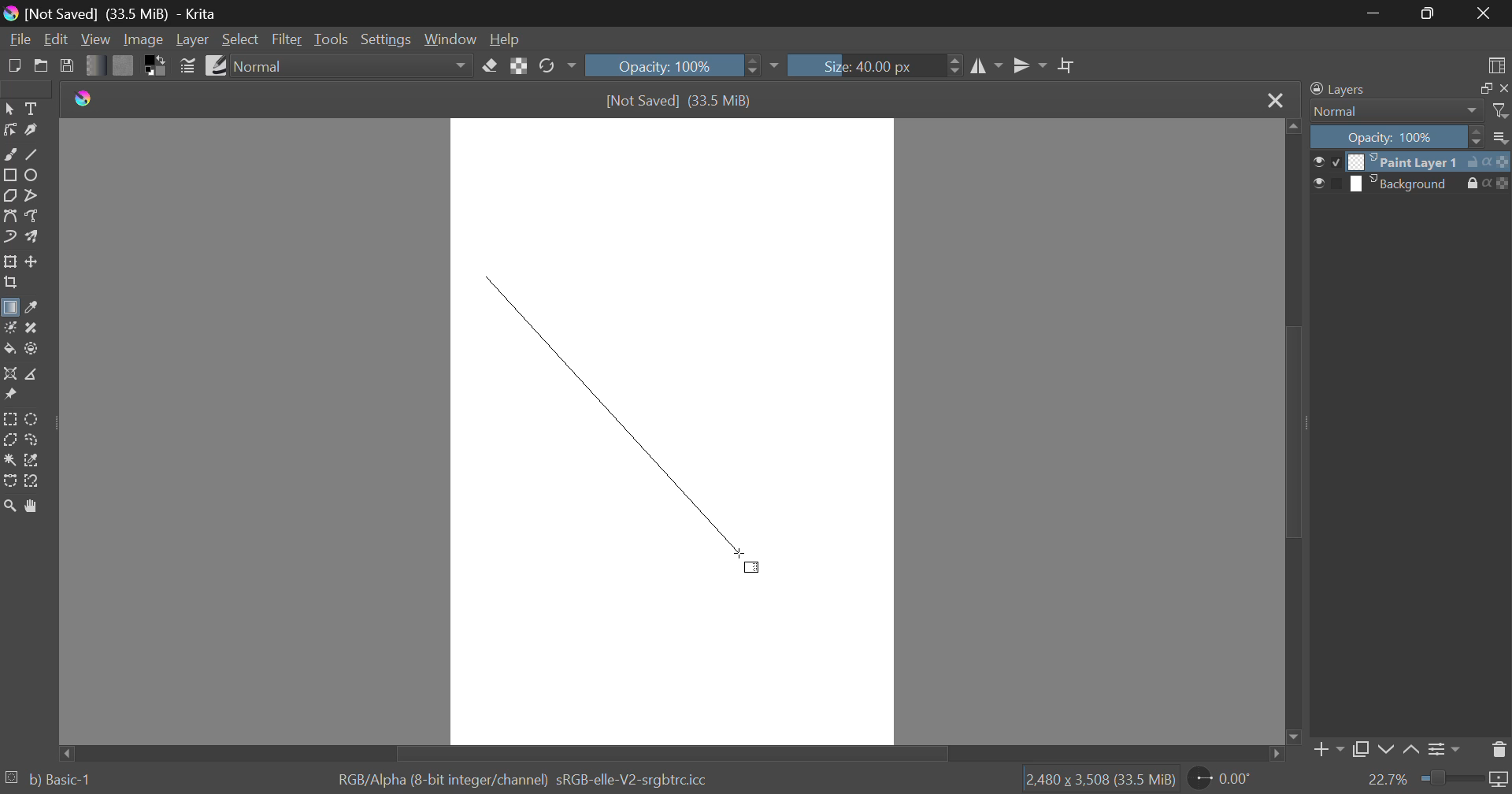 The height and width of the screenshot is (794, 1512). What do you see at coordinates (491, 64) in the screenshot?
I see `Eraser` at bounding box center [491, 64].